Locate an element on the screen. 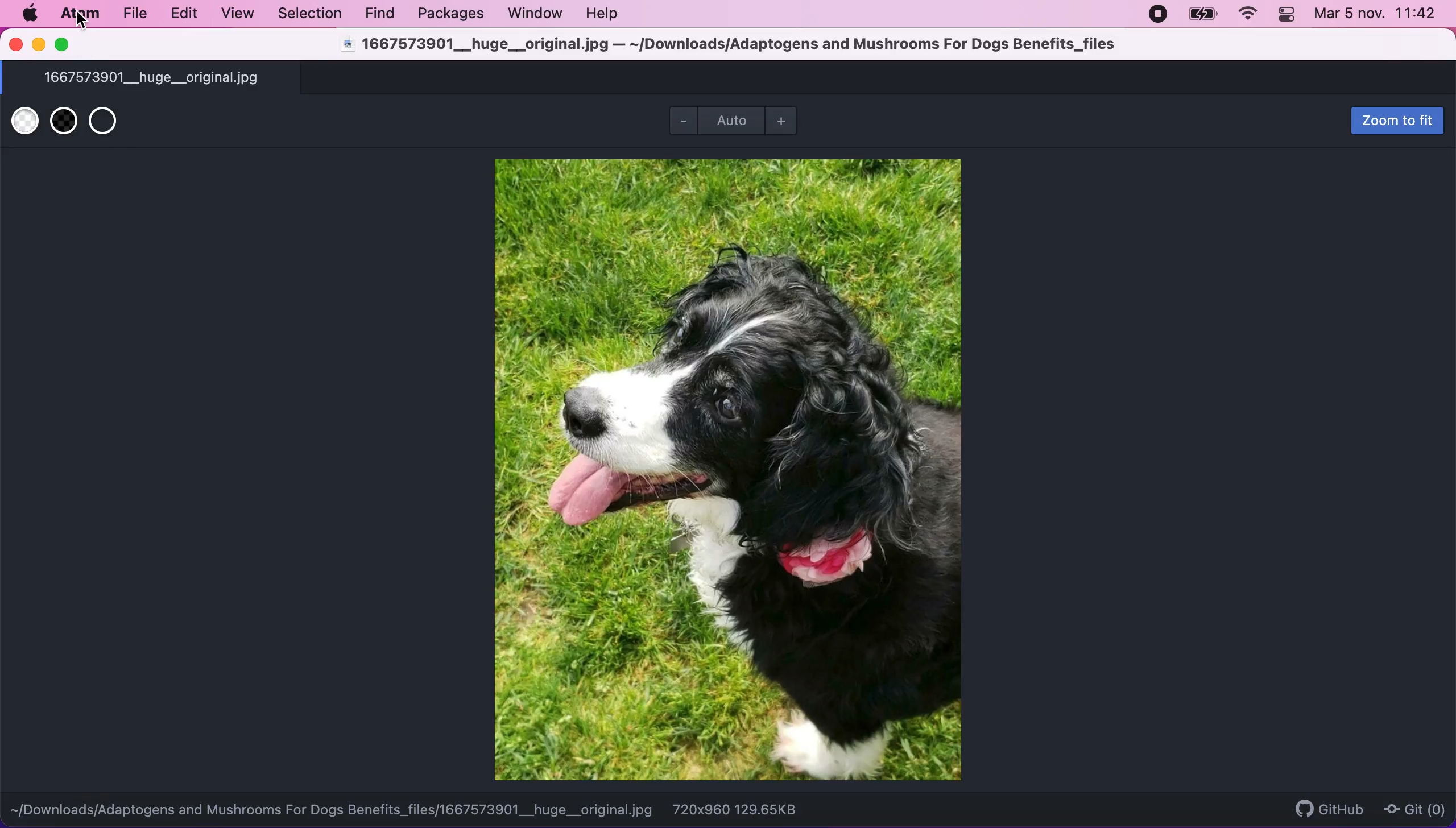 Image resolution: width=1456 pixels, height=828 pixels. minimize is located at coordinates (38, 45).